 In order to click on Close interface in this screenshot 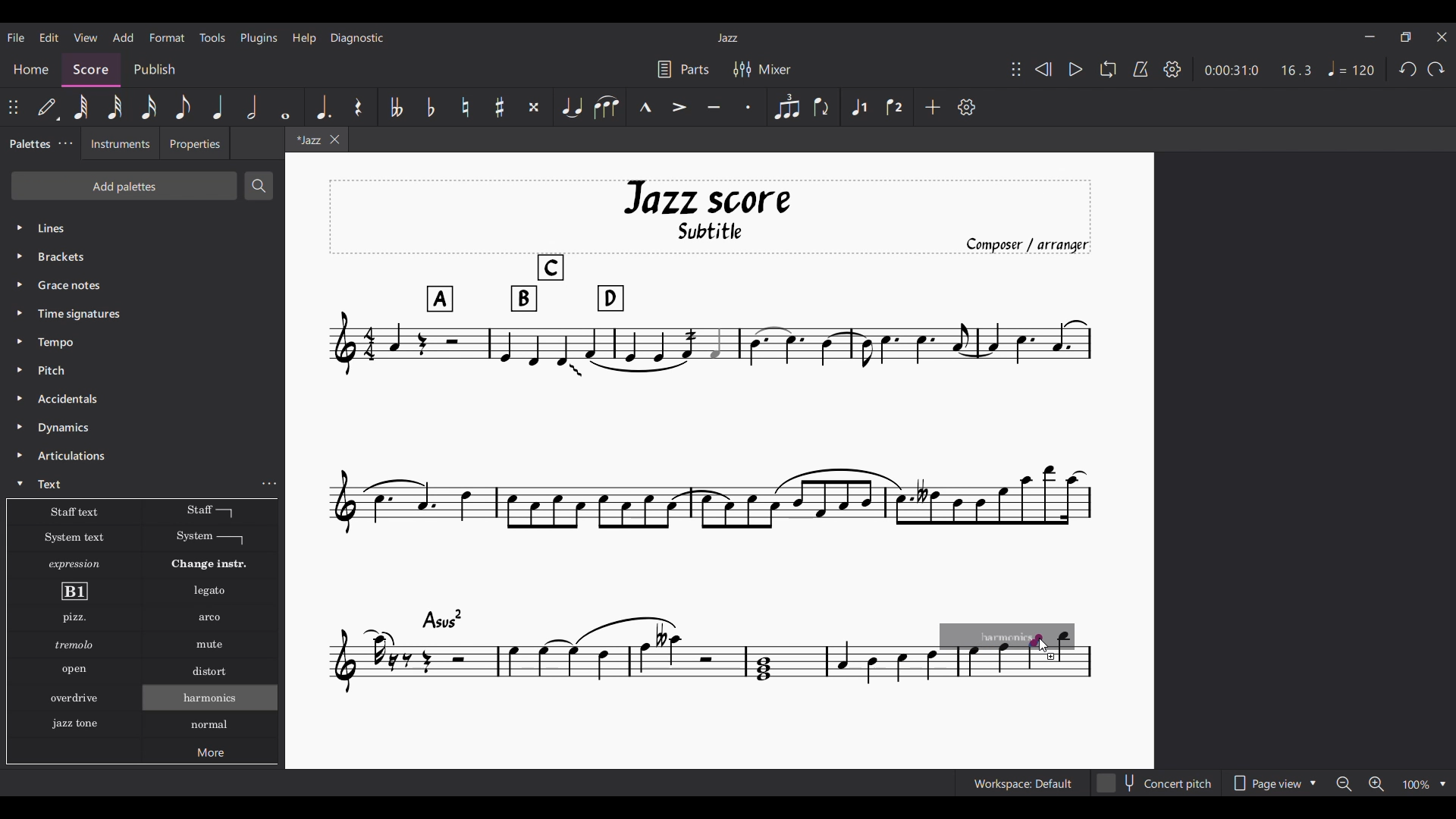, I will do `click(1442, 37)`.